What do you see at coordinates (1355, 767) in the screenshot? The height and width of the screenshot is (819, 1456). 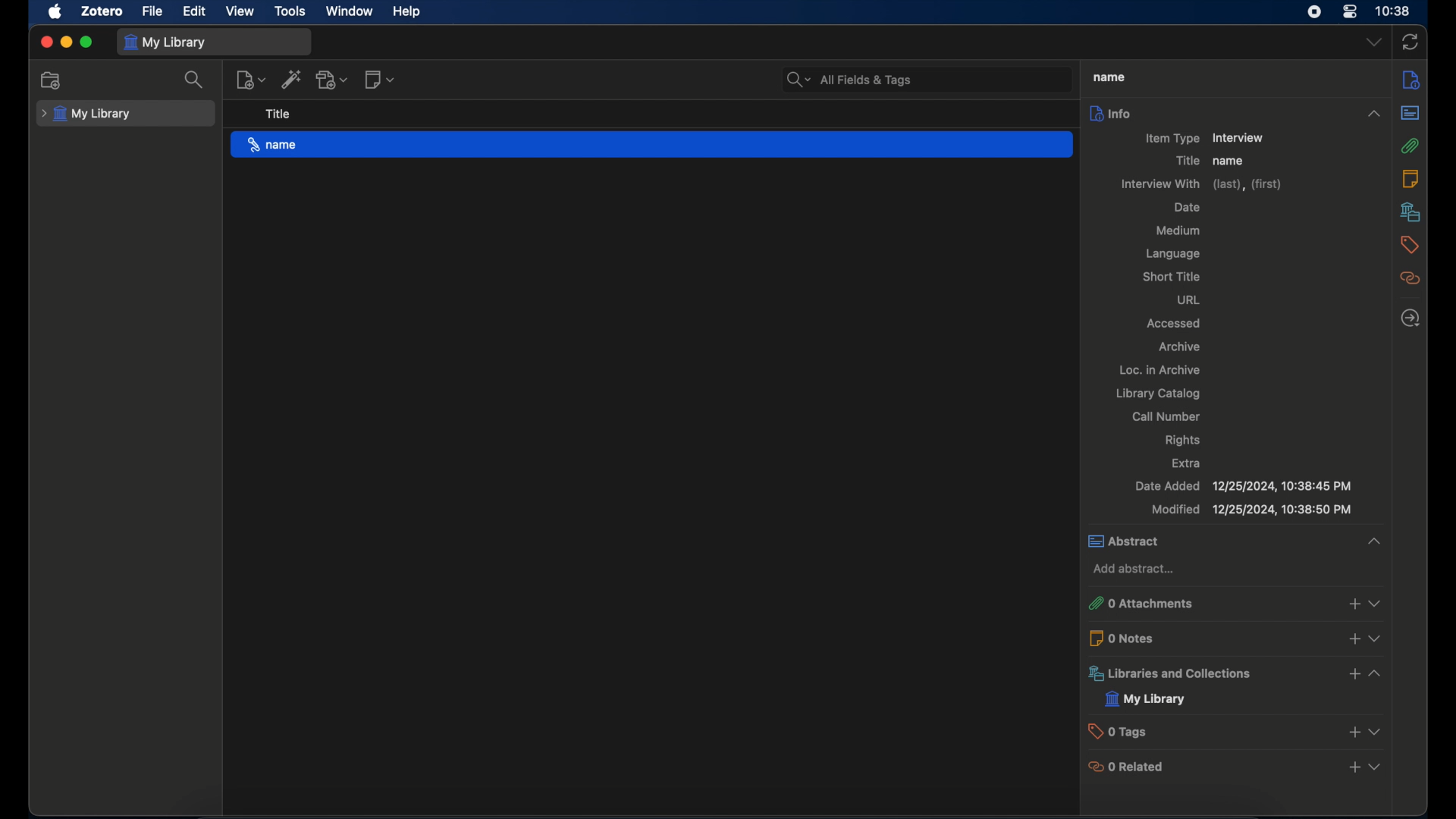 I see `add` at bounding box center [1355, 767].